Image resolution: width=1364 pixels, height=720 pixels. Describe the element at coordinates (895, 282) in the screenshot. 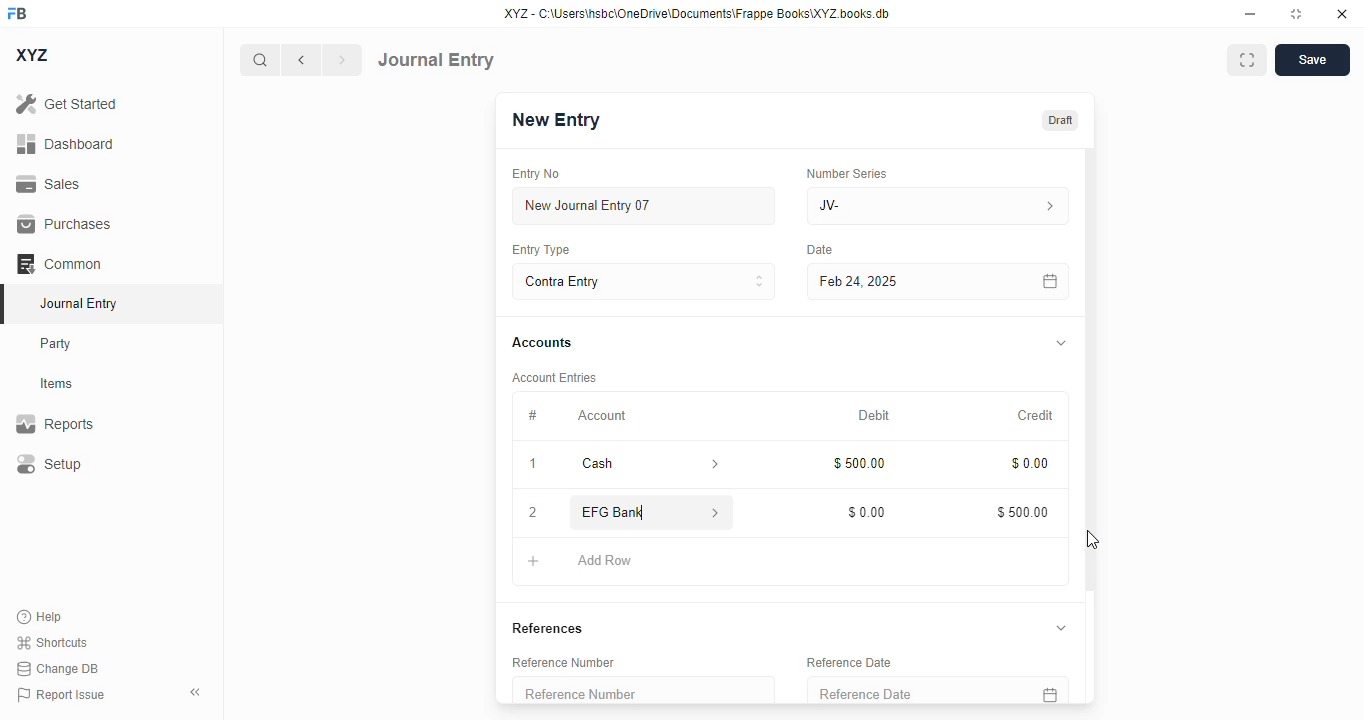

I see `feb 24, 2025` at that location.